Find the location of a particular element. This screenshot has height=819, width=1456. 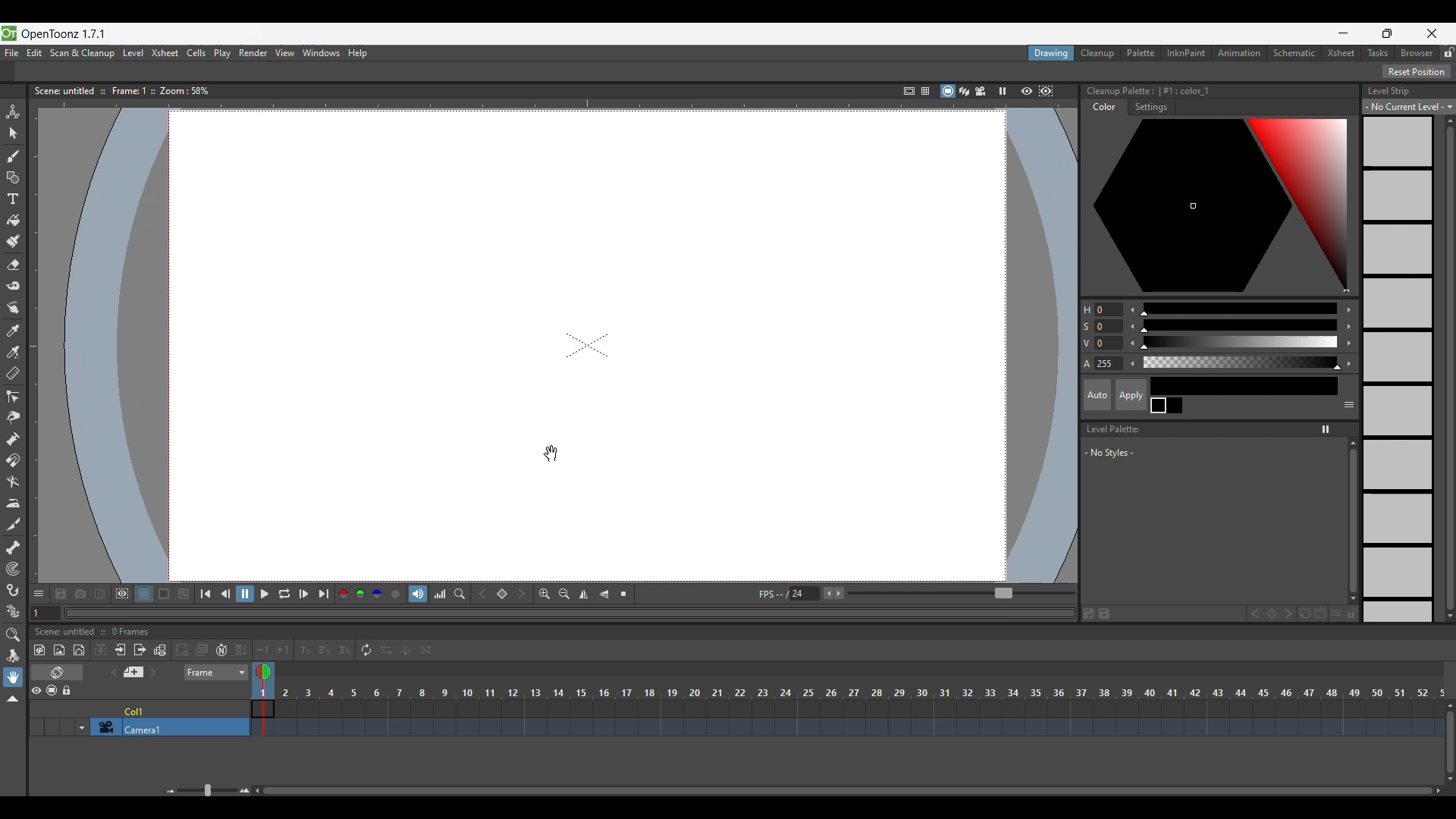

Edit is located at coordinates (34, 53).